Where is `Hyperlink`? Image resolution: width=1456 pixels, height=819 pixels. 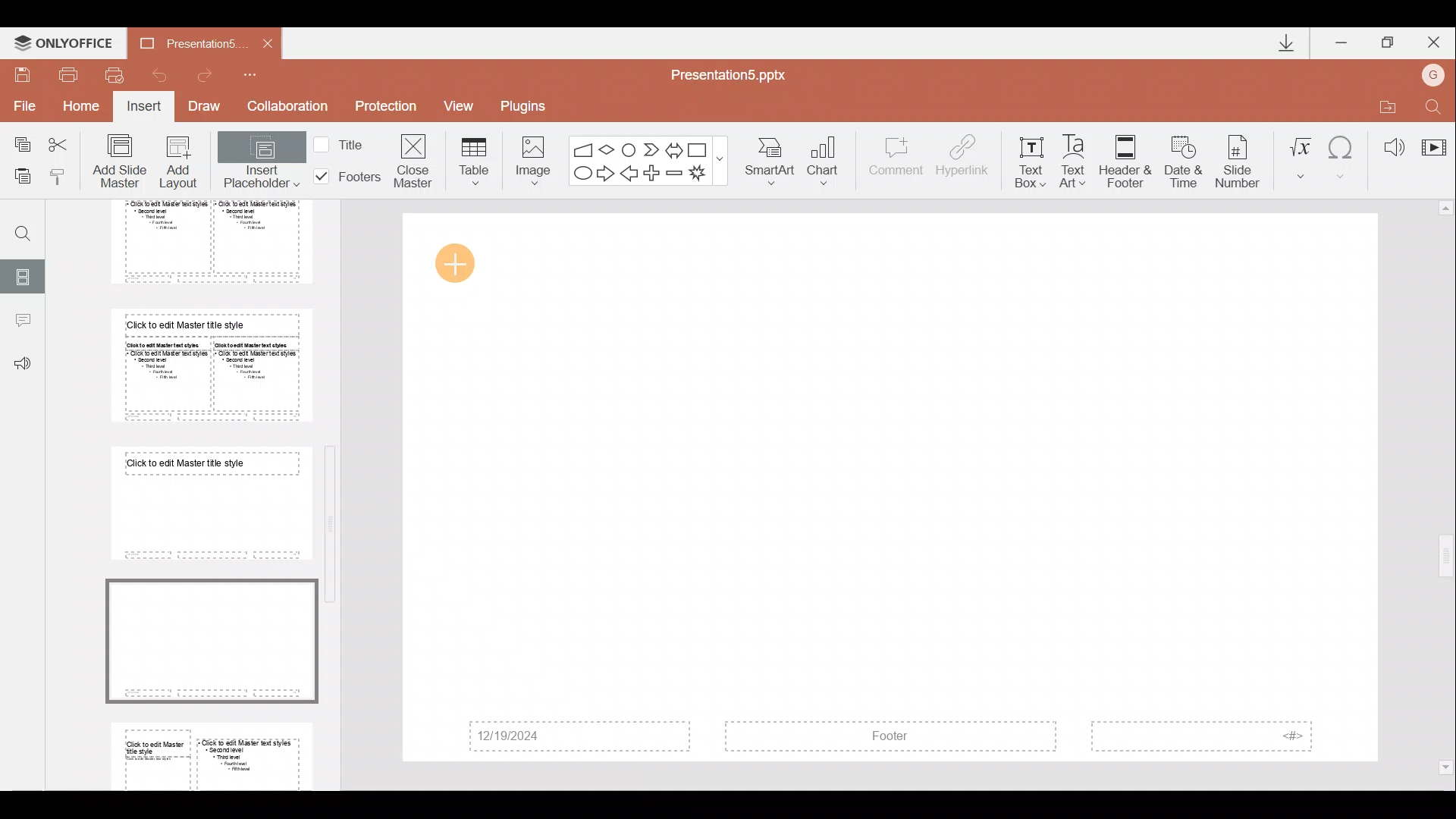 Hyperlink is located at coordinates (964, 158).